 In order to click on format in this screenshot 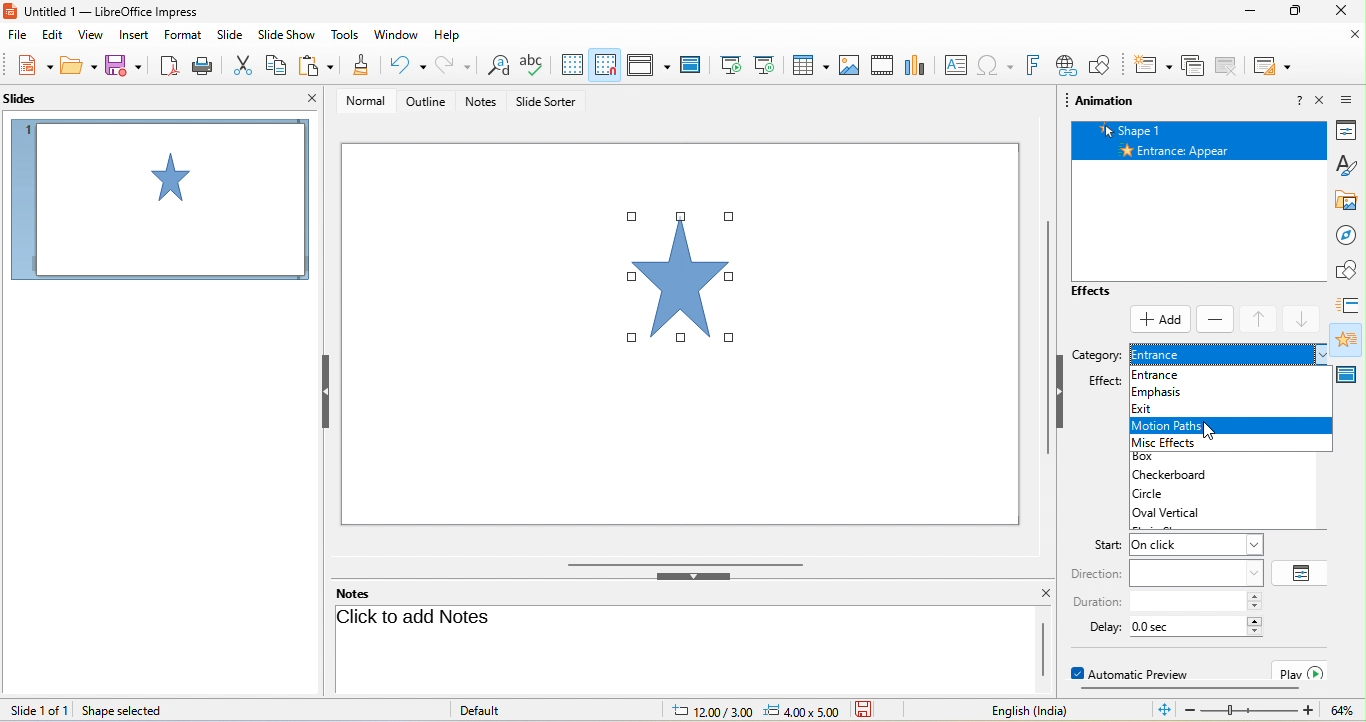, I will do `click(183, 35)`.